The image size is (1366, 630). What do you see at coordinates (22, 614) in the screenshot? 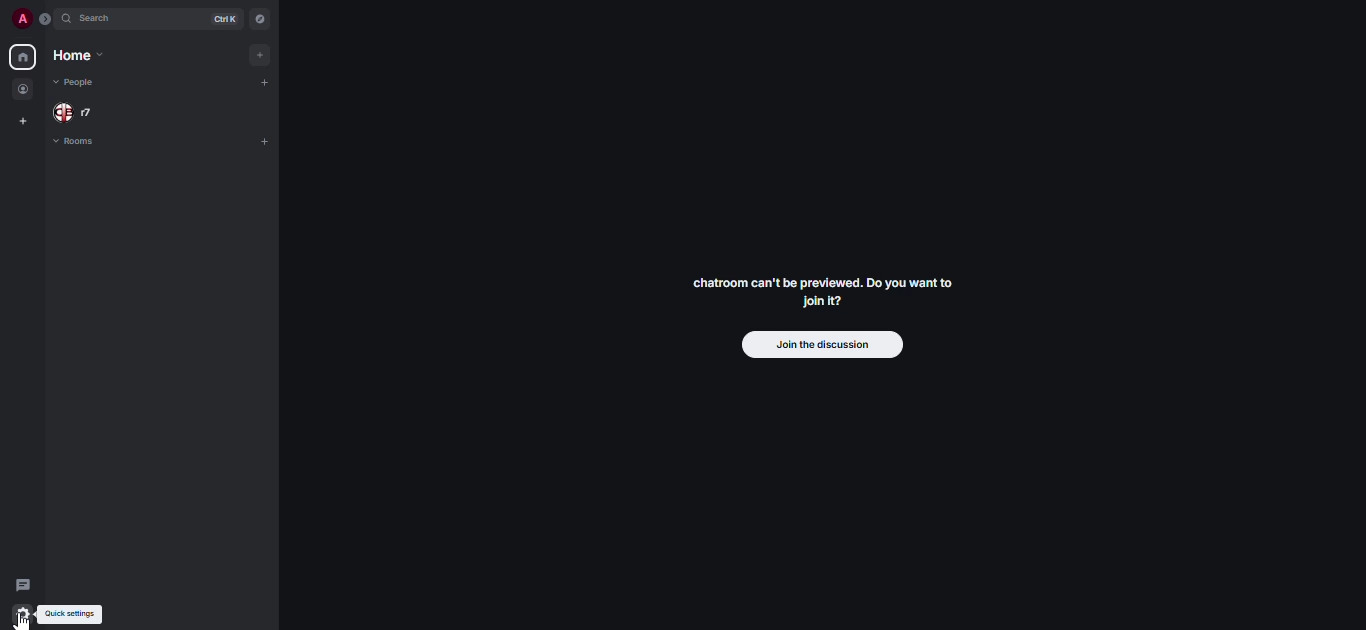
I see `quick settings` at bounding box center [22, 614].